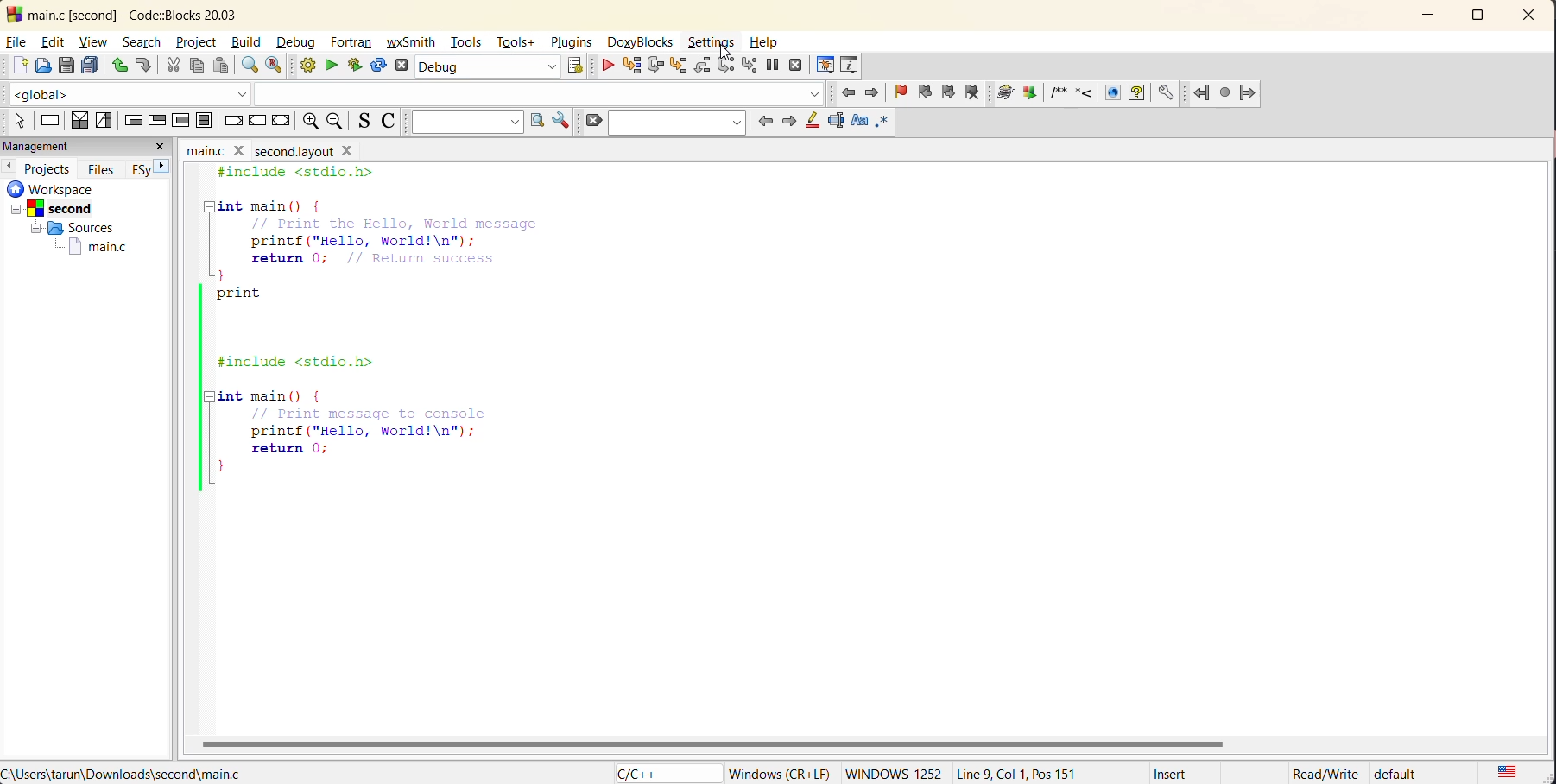  I want to click on counting loop, so click(178, 119).